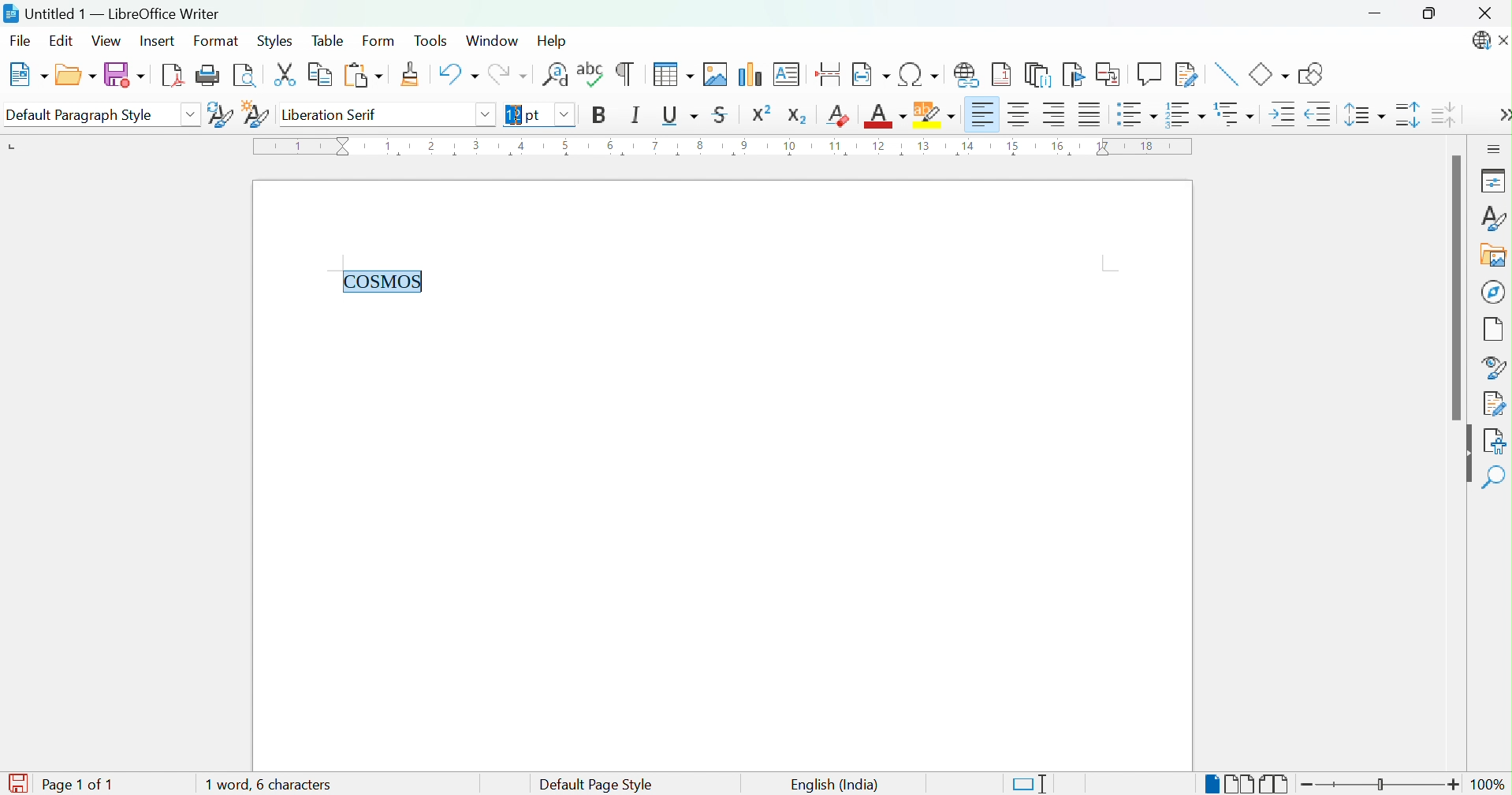  What do you see at coordinates (21, 39) in the screenshot?
I see `File` at bounding box center [21, 39].